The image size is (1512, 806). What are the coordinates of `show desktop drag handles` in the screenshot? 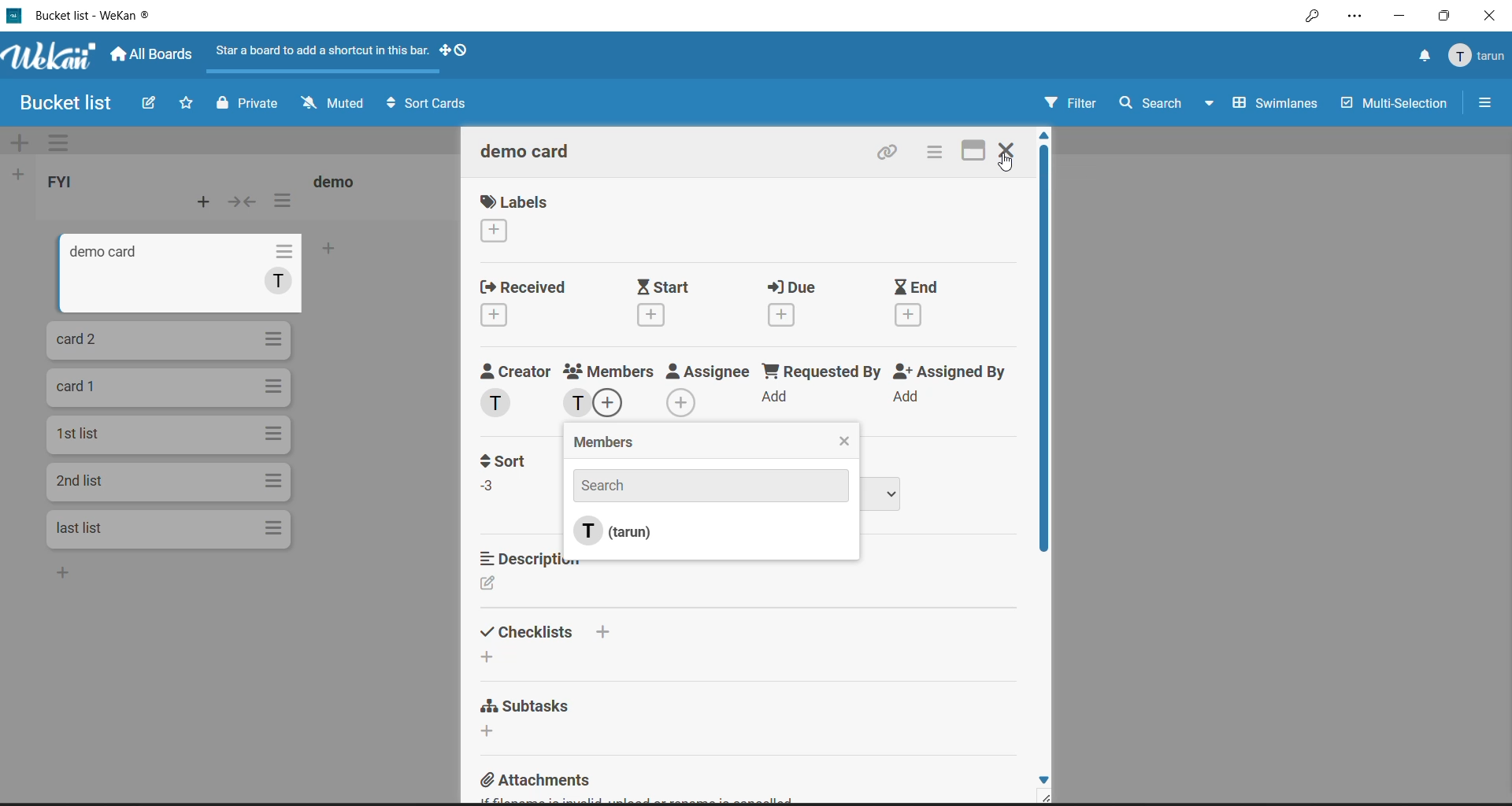 It's located at (454, 51).